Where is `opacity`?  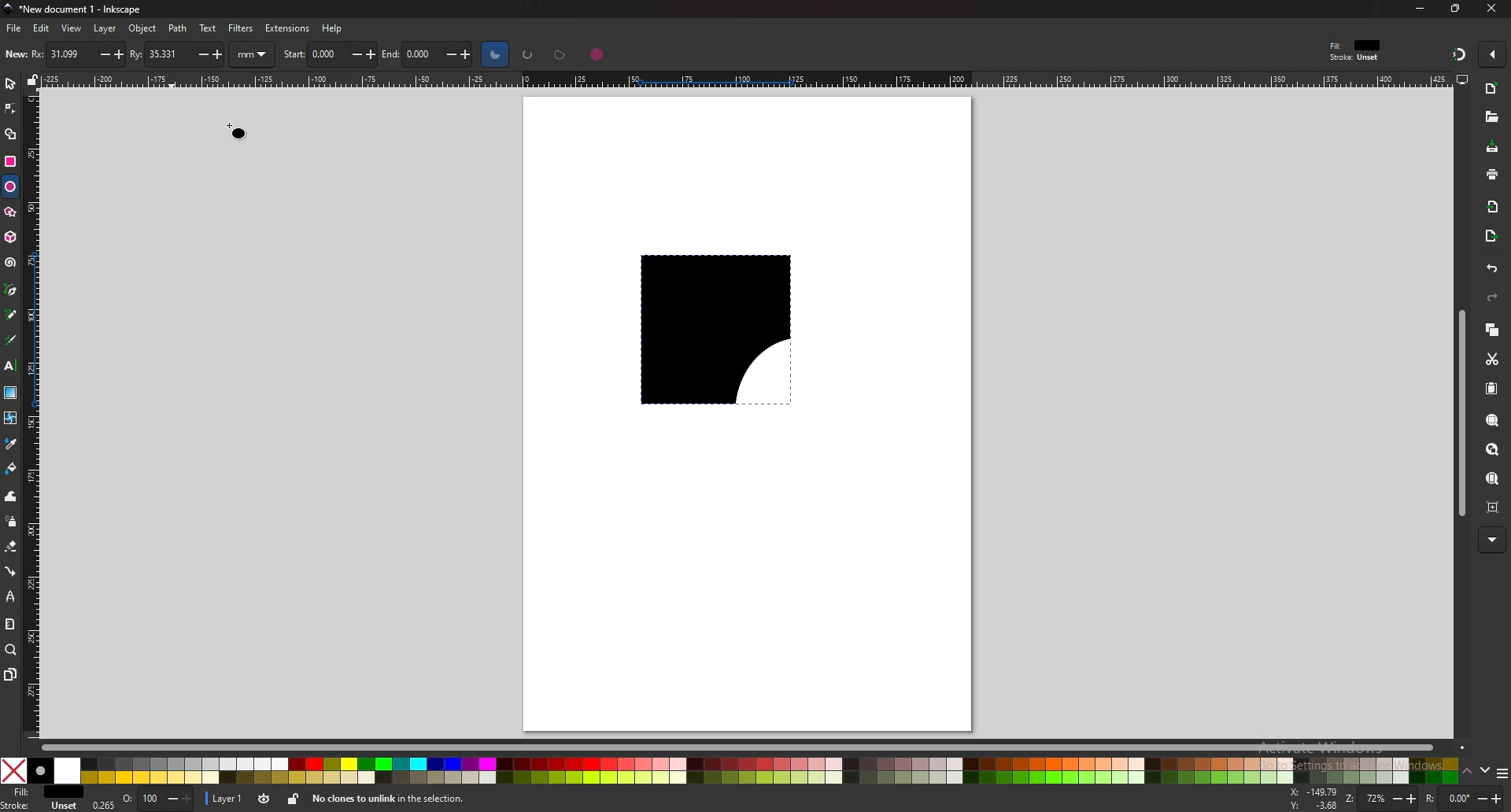
opacity is located at coordinates (157, 799).